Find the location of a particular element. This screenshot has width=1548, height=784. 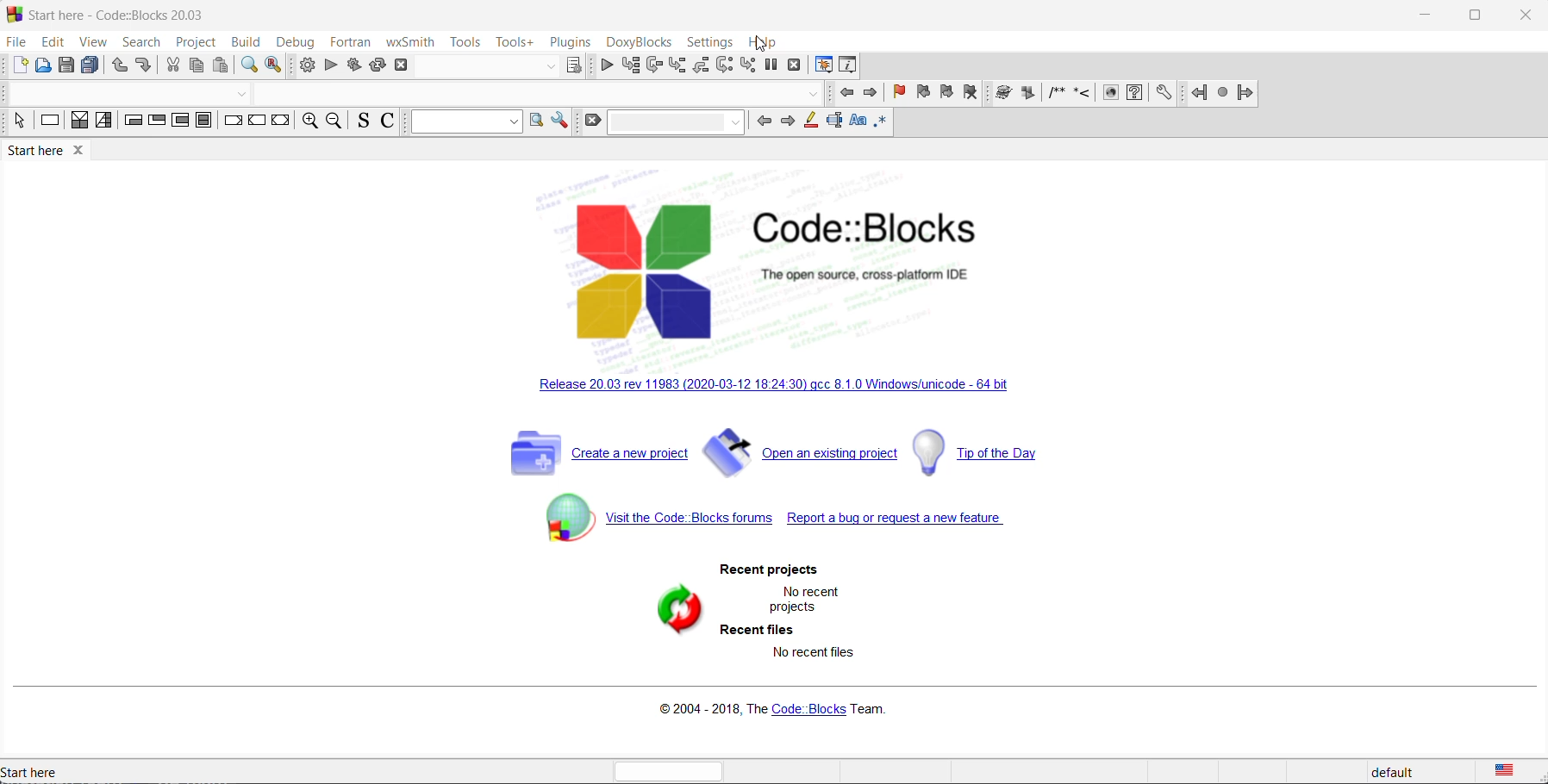

open is located at coordinates (45, 66).